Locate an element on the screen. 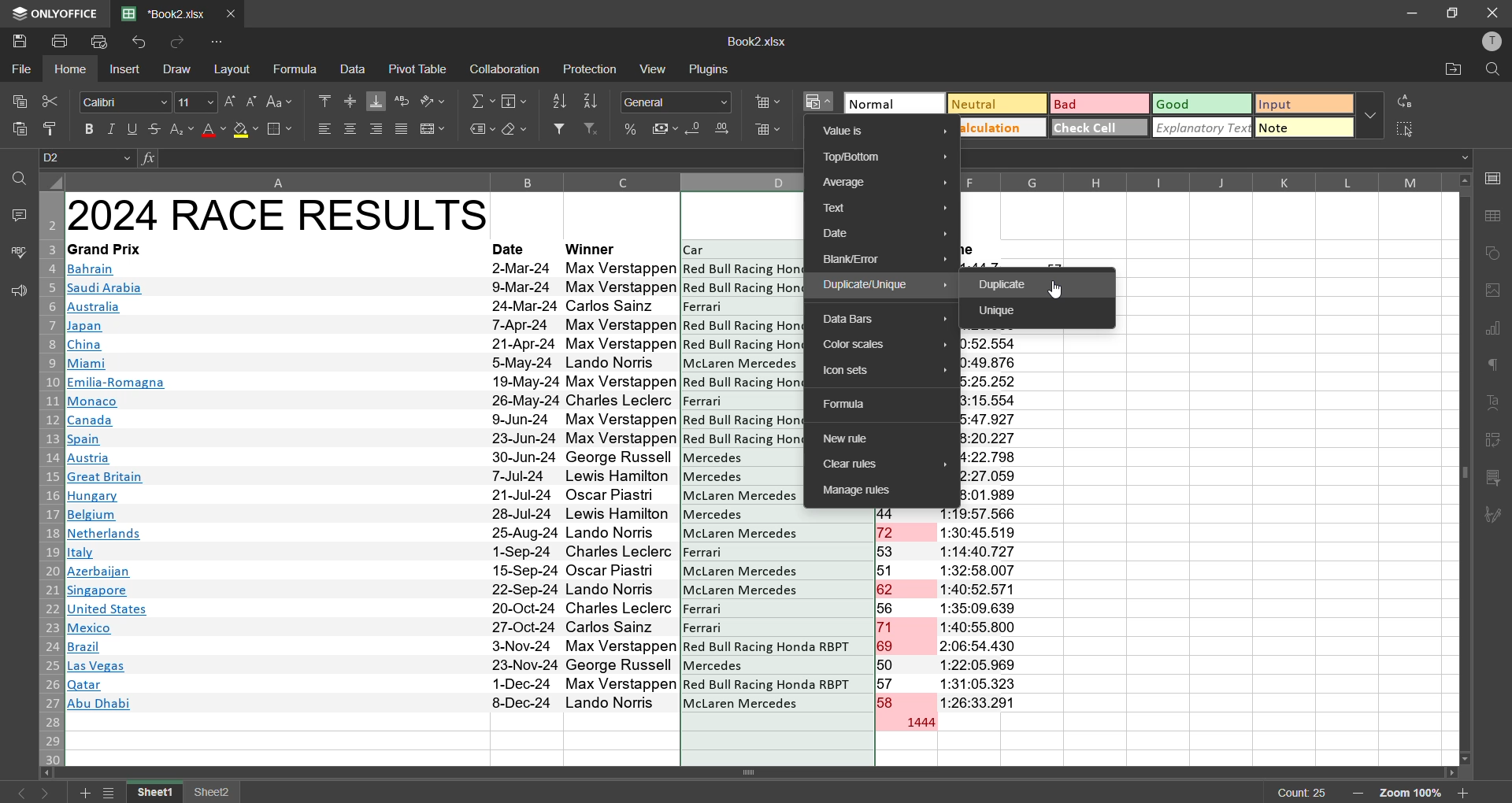 This screenshot has width=1512, height=803. scrollbar is located at coordinates (754, 773).